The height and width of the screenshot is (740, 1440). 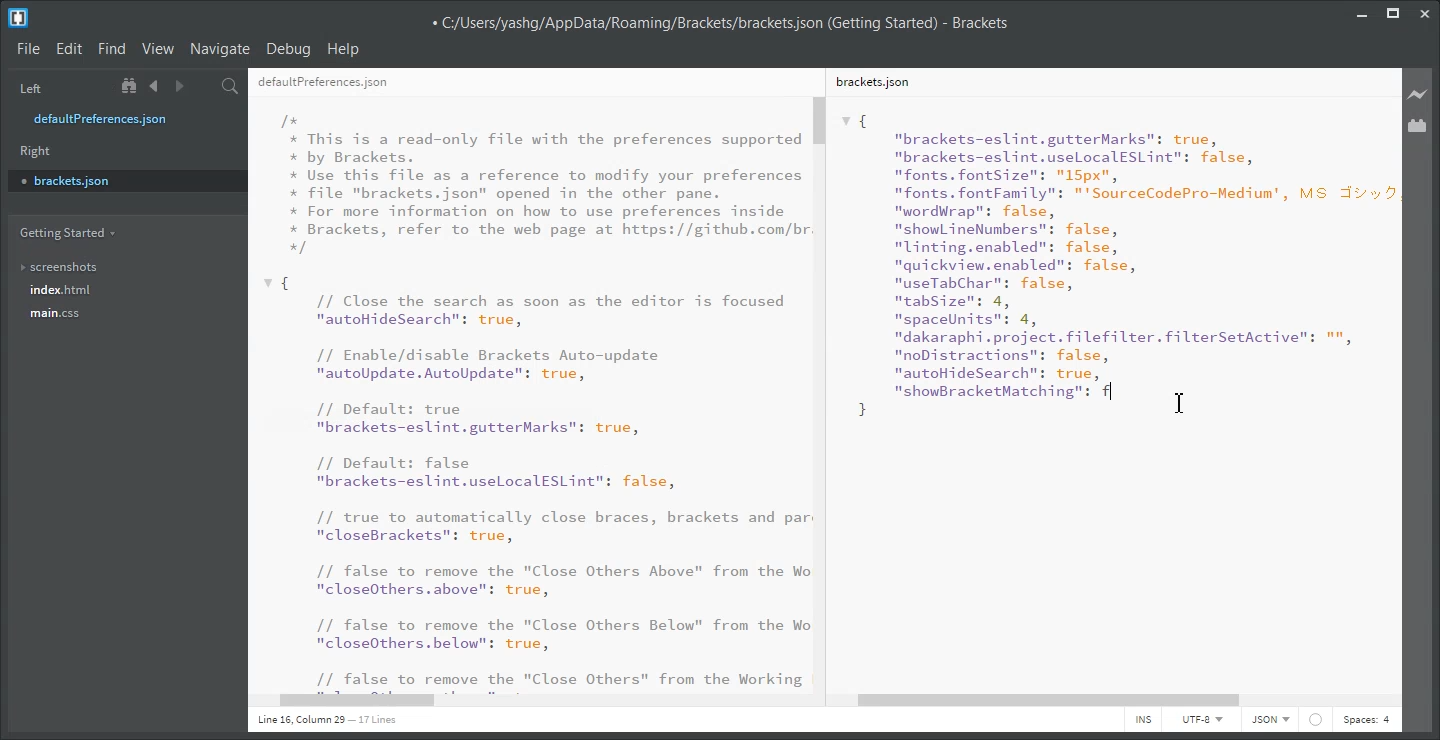 I want to click on JSON, so click(x=1271, y=720).